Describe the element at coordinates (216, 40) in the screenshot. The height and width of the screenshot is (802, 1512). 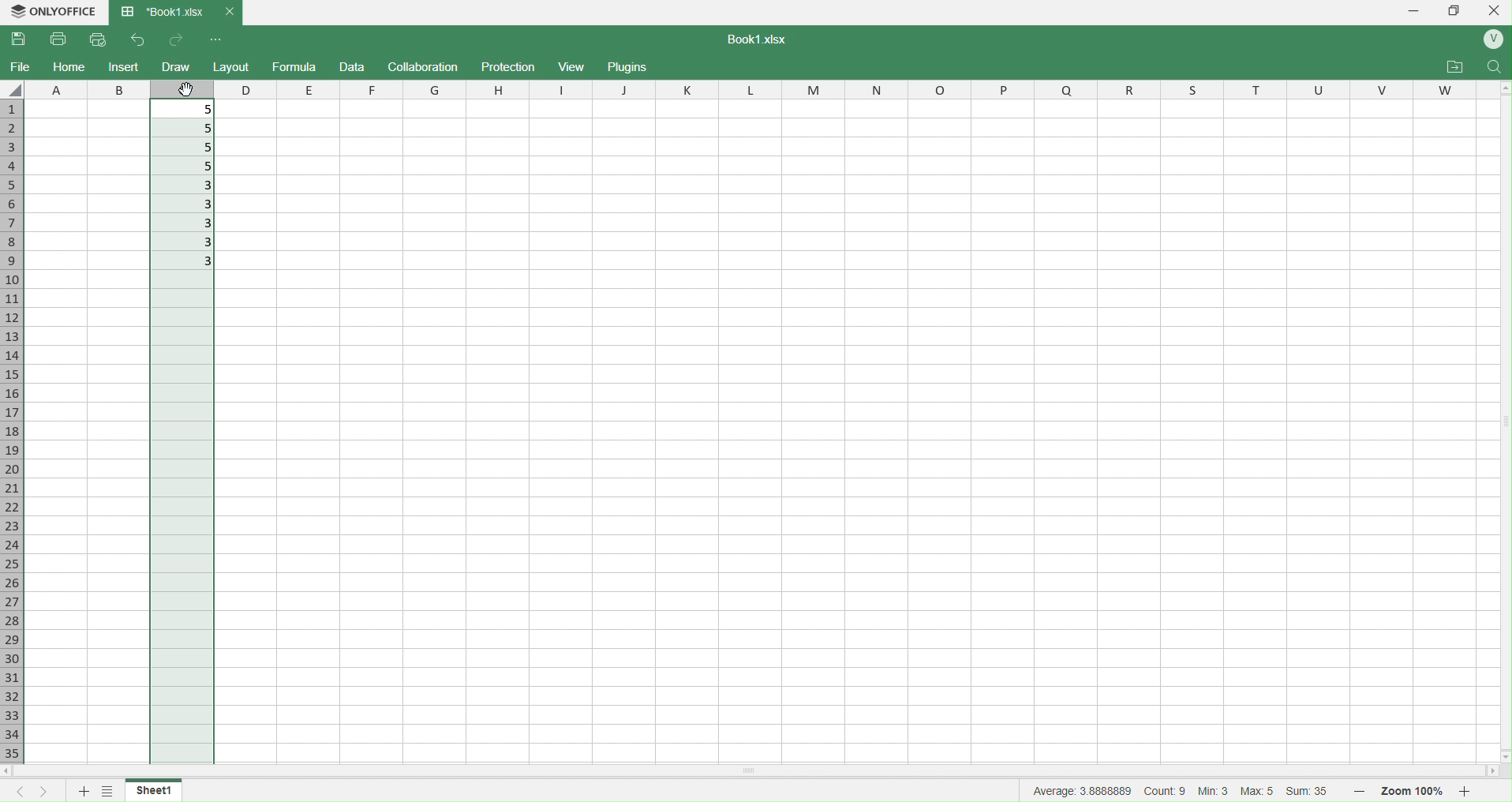
I see `Customize Quick access toolbar` at that location.